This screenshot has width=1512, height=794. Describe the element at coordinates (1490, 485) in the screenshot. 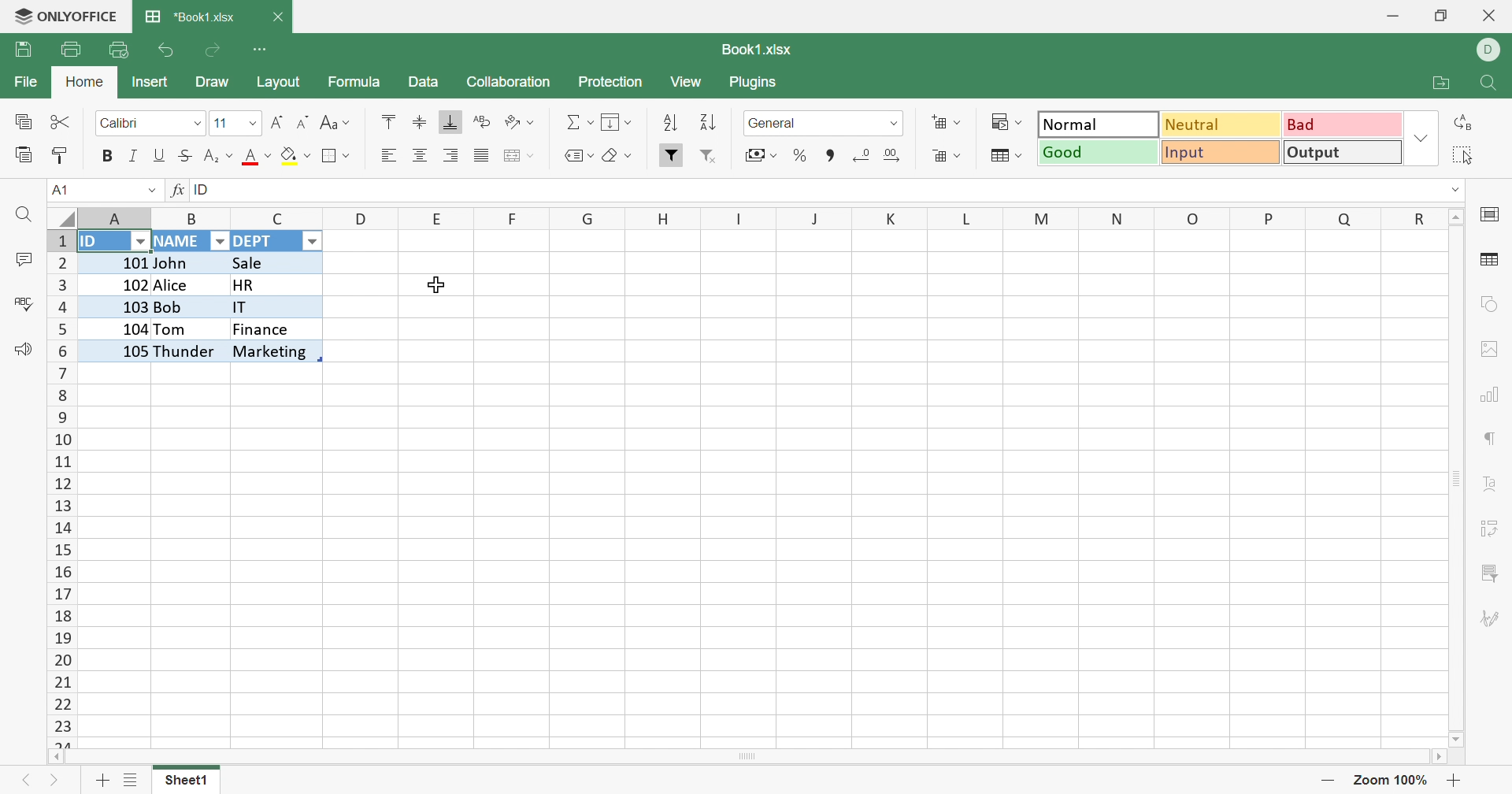

I see `Text Art settings` at that location.